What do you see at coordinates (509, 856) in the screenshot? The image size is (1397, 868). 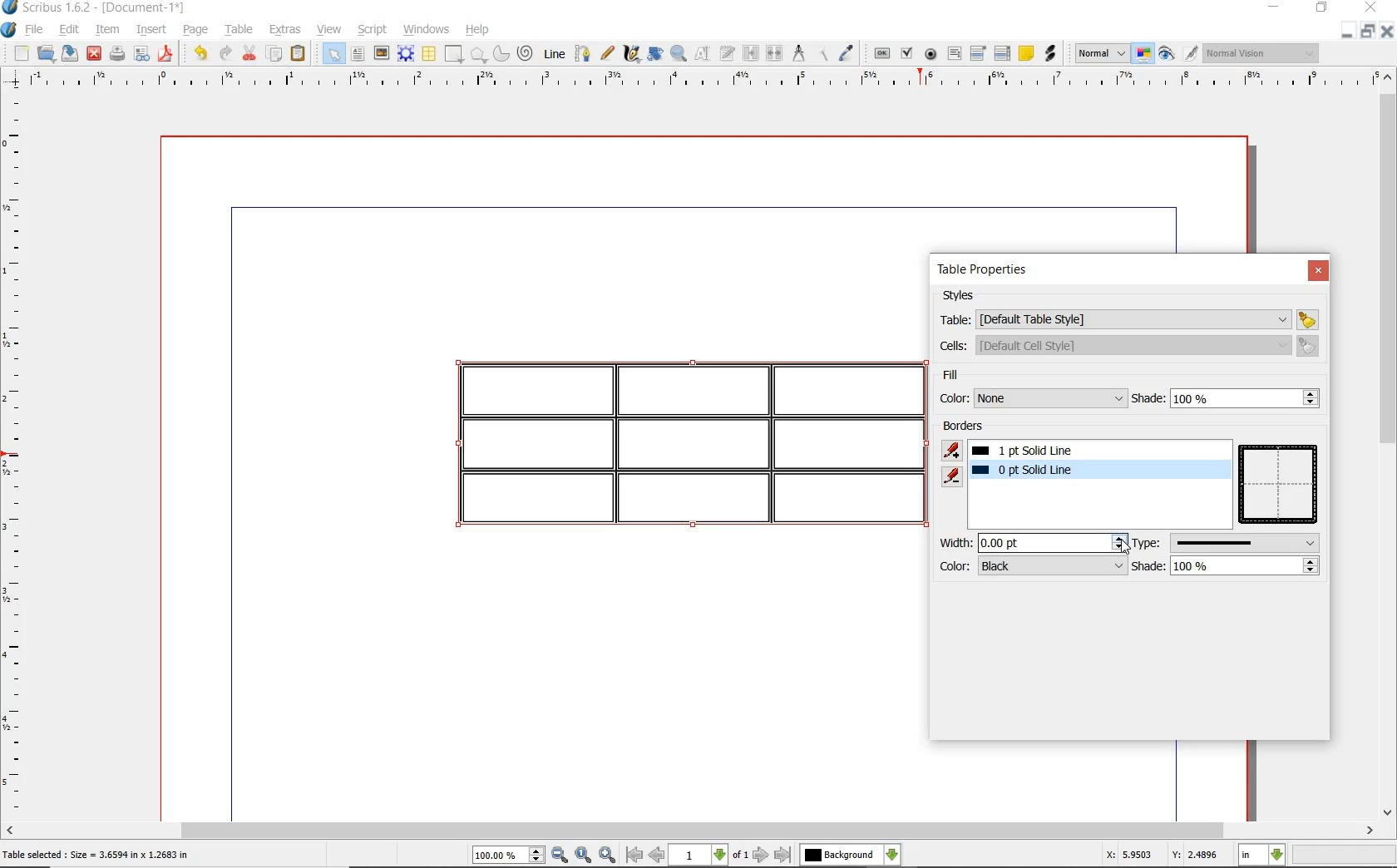 I see `select current zoom level` at bounding box center [509, 856].